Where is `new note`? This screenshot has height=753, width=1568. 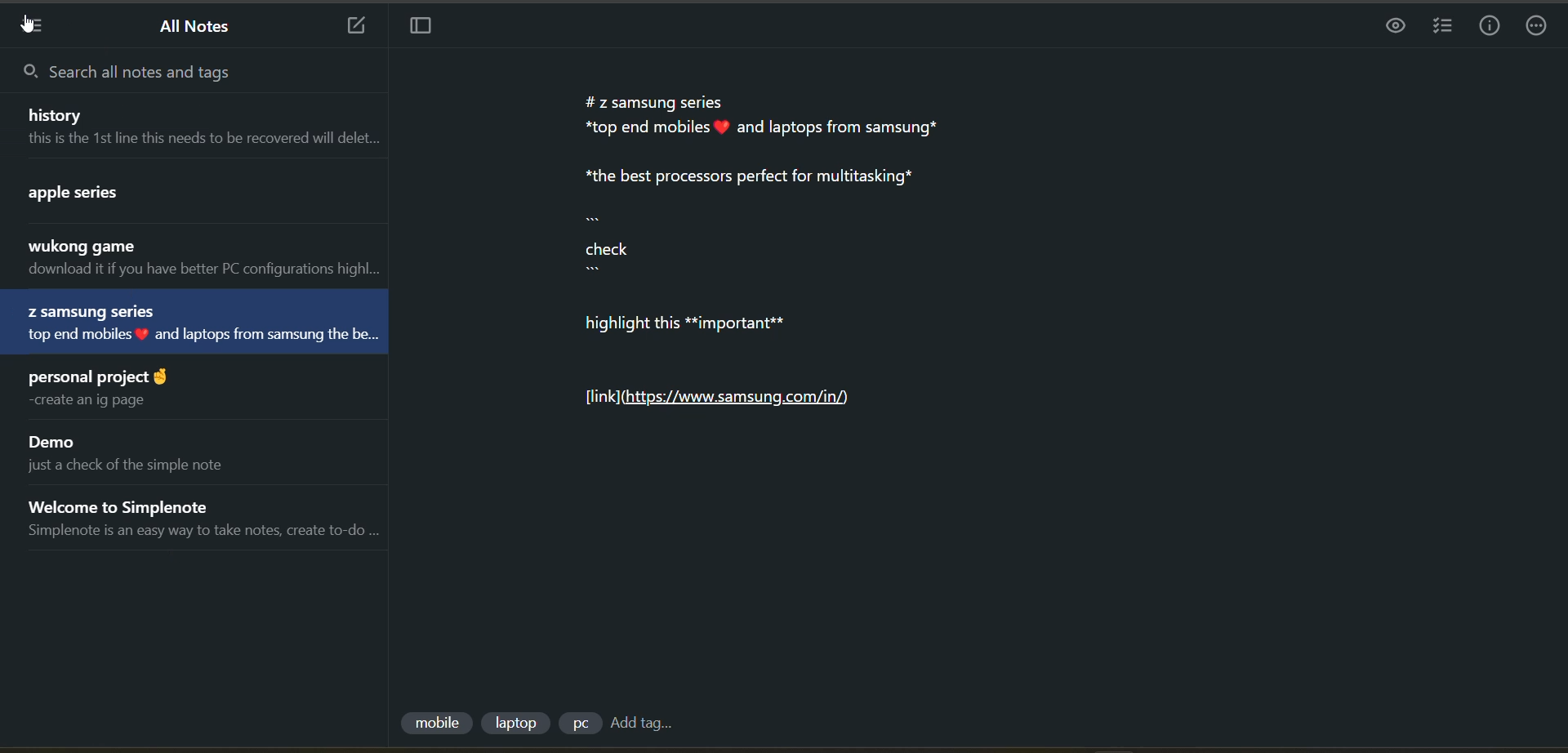
new note is located at coordinates (356, 27).